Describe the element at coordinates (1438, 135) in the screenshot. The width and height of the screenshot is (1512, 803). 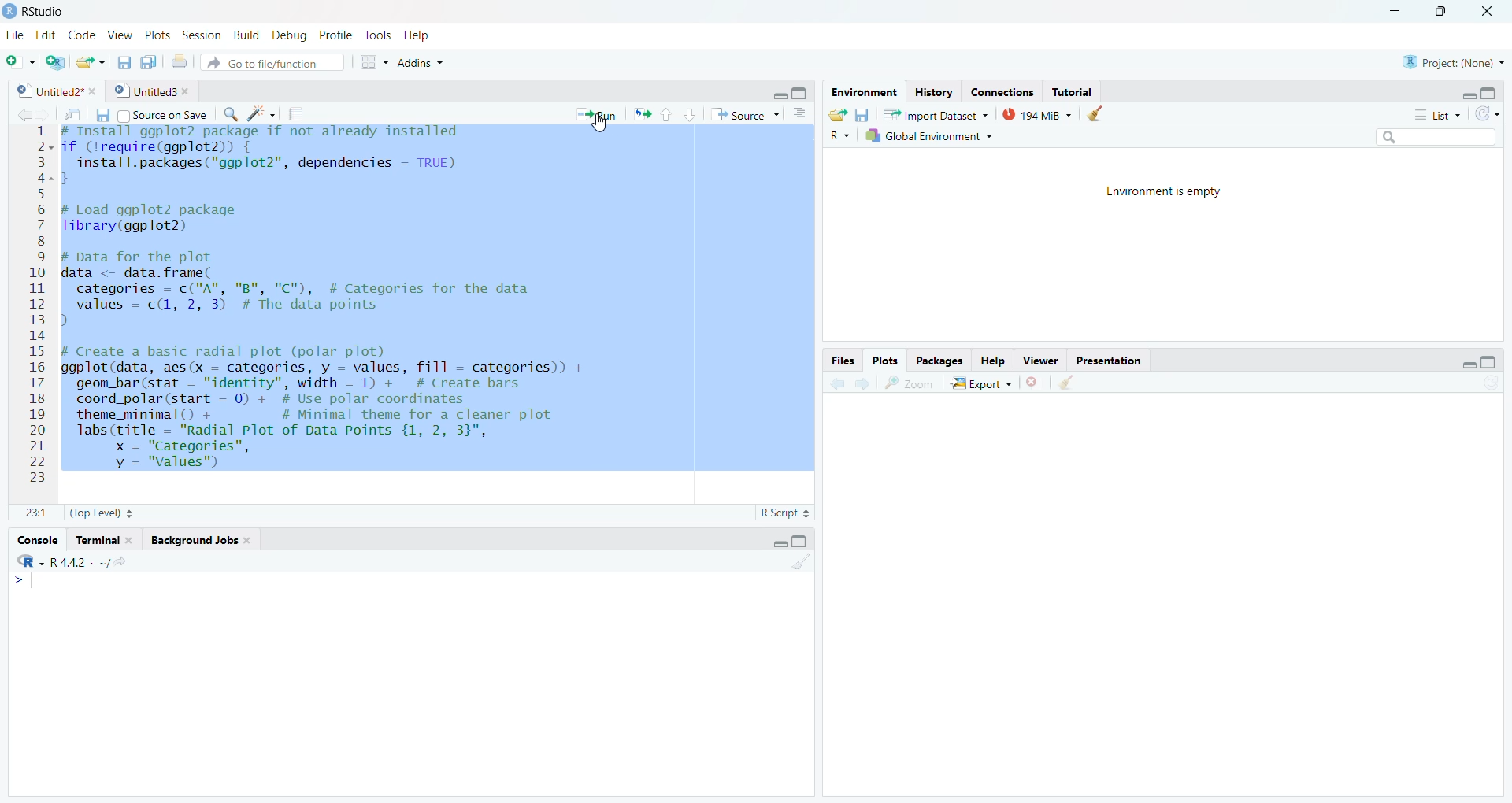
I see `Search bar` at that location.